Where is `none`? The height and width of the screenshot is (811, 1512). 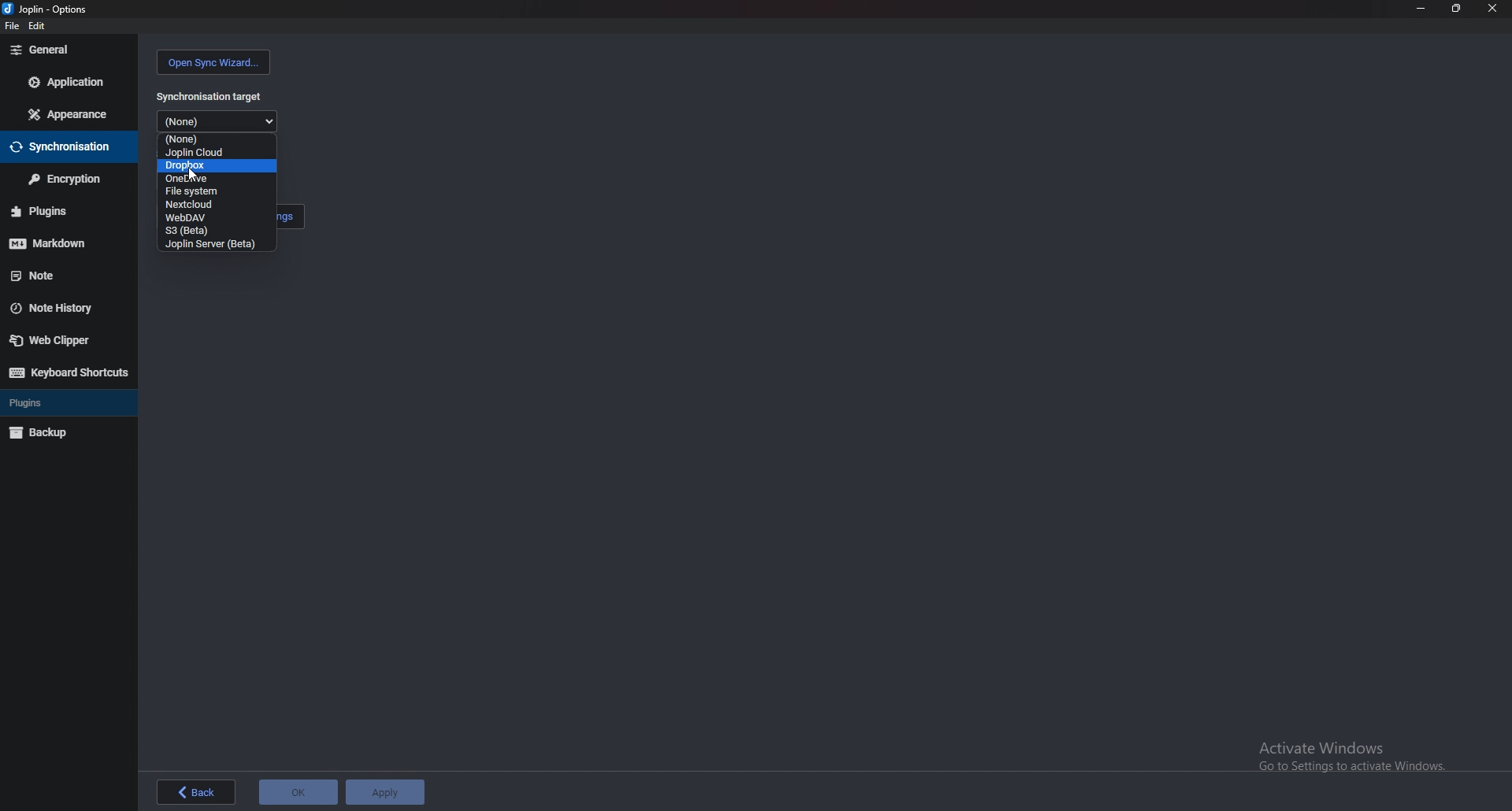 none is located at coordinates (221, 121).